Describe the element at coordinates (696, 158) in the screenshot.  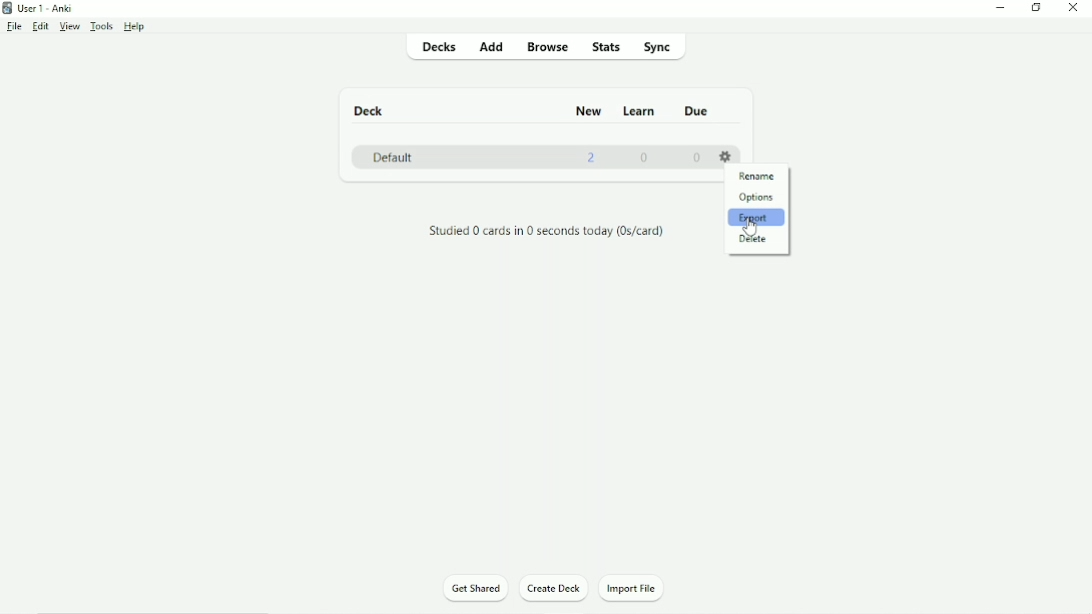
I see `0` at that location.